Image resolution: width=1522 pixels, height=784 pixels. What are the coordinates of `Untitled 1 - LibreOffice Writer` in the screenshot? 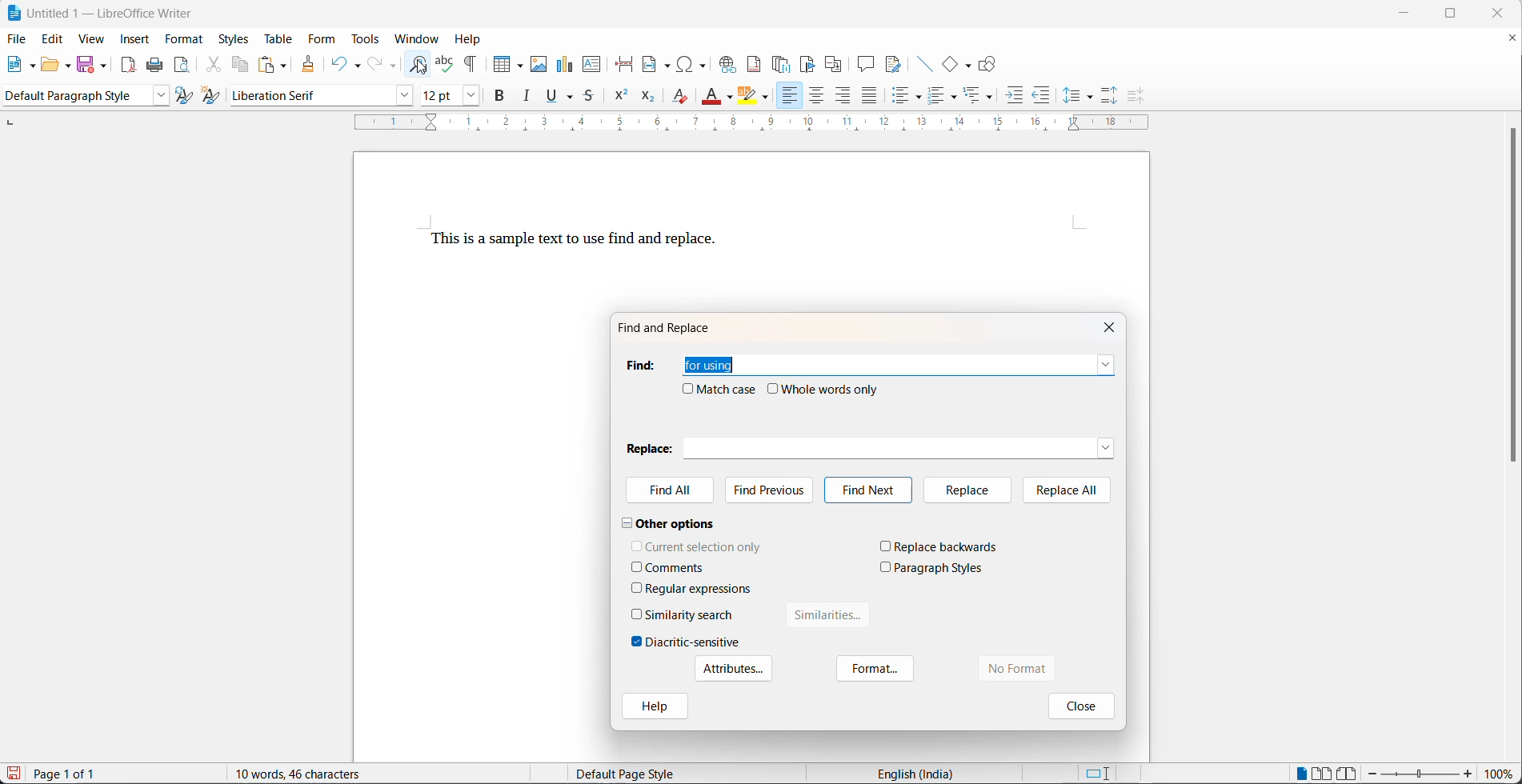 It's located at (101, 11).